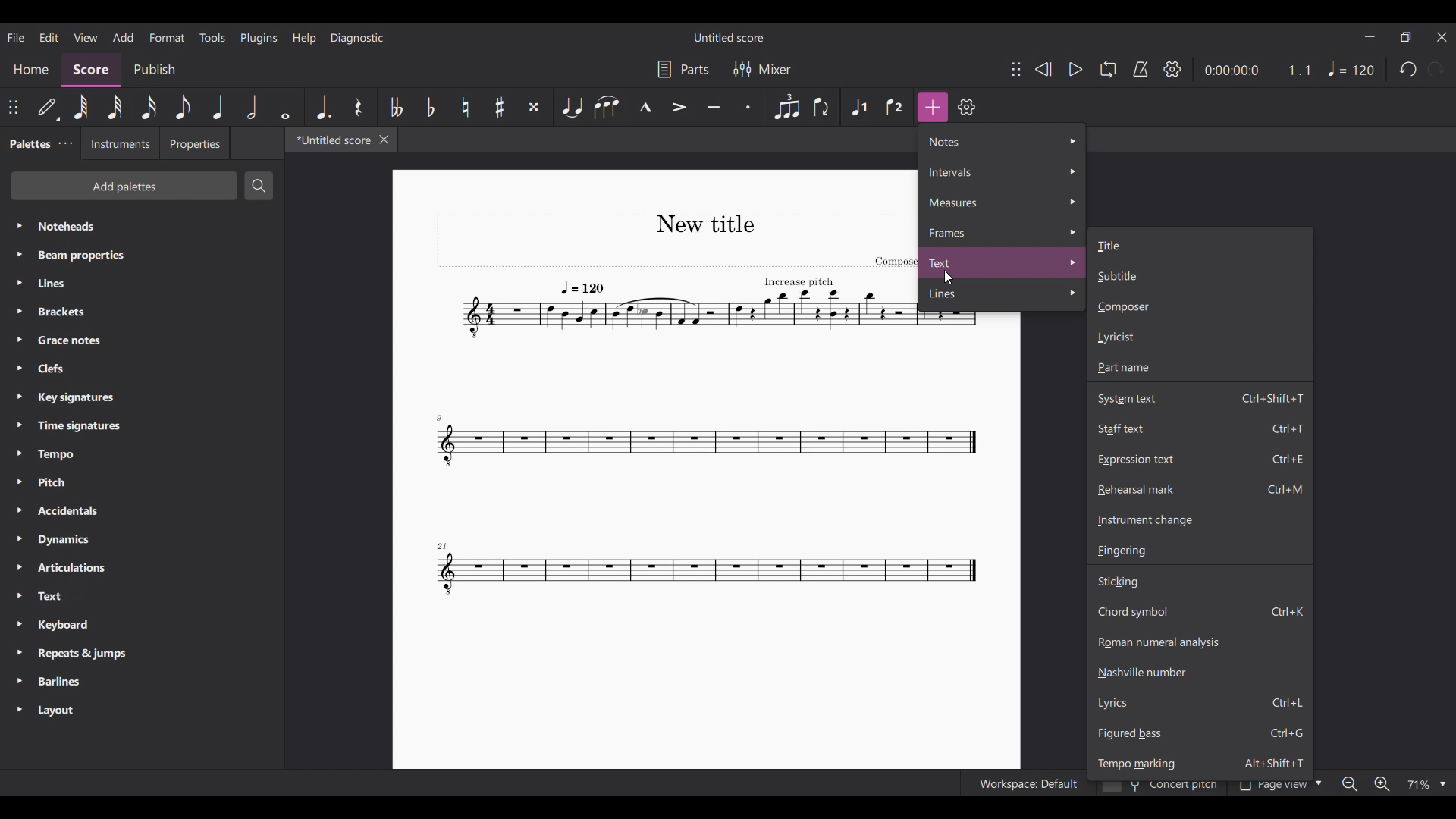  What do you see at coordinates (1405, 37) in the screenshot?
I see `Show in smaller tab` at bounding box center [1405, 37].